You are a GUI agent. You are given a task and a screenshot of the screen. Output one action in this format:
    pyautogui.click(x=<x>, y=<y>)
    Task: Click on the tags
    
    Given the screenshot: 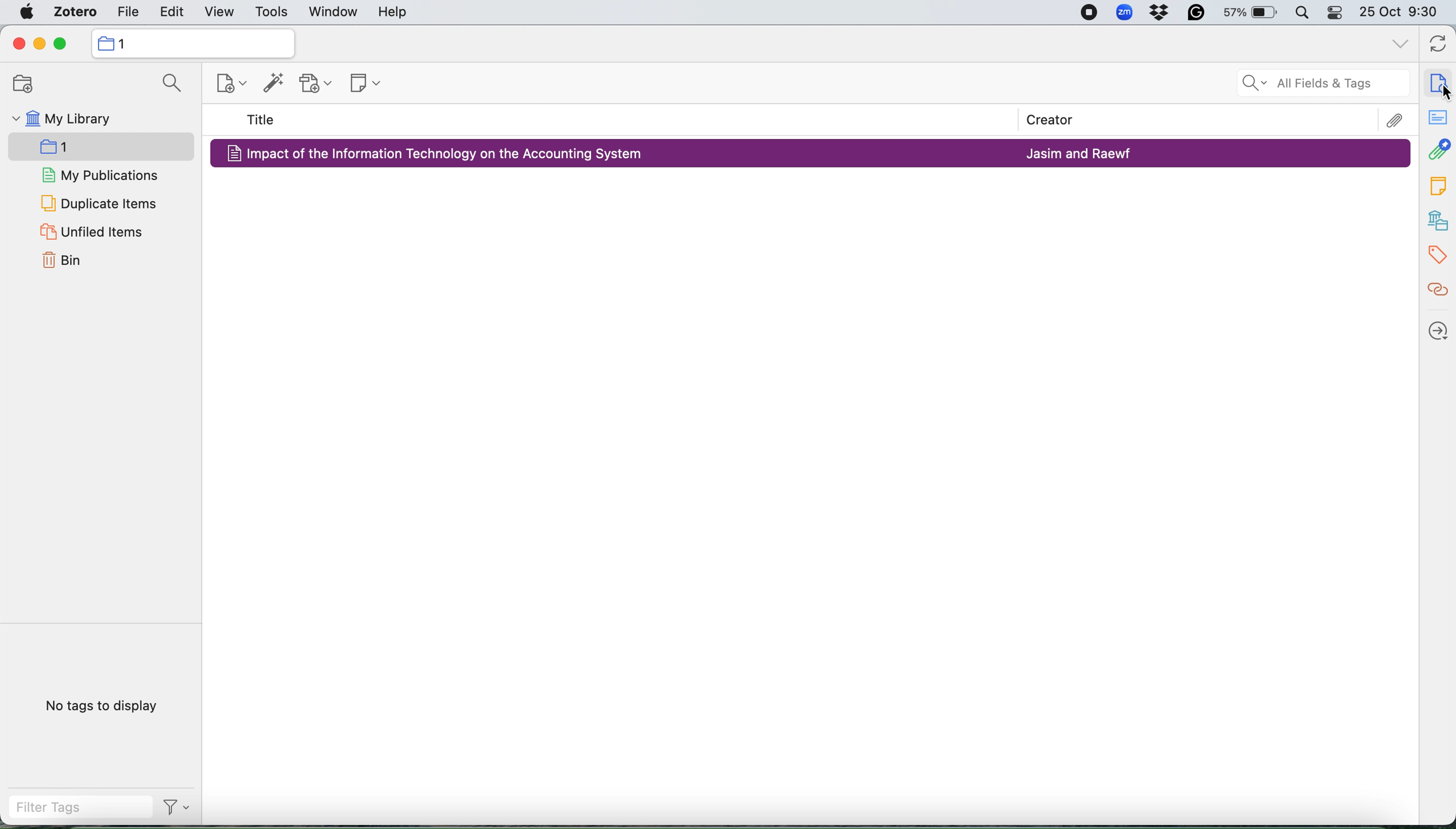 What is the action you would take?
    pyautogui.click(x=1437, y=255)
    